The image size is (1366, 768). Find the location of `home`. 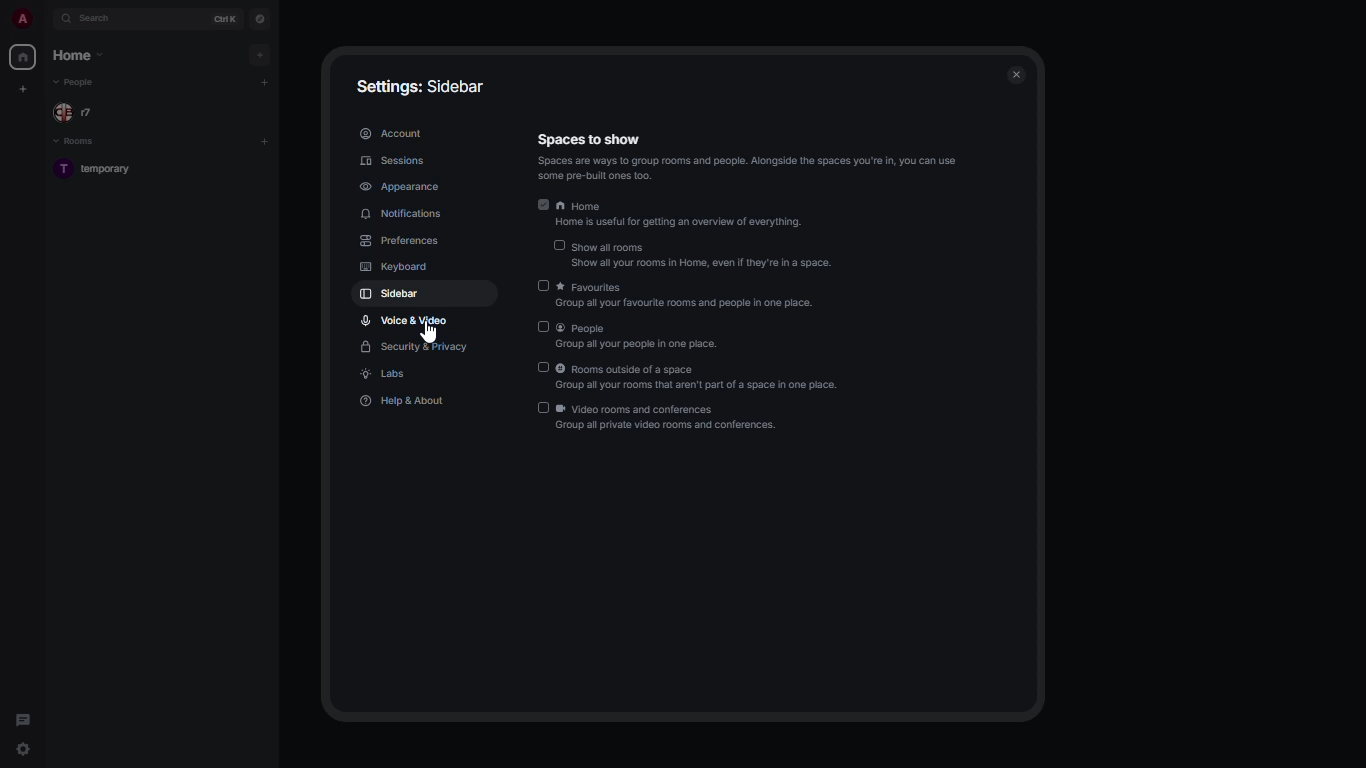

home is located at coordinates (77, 57).